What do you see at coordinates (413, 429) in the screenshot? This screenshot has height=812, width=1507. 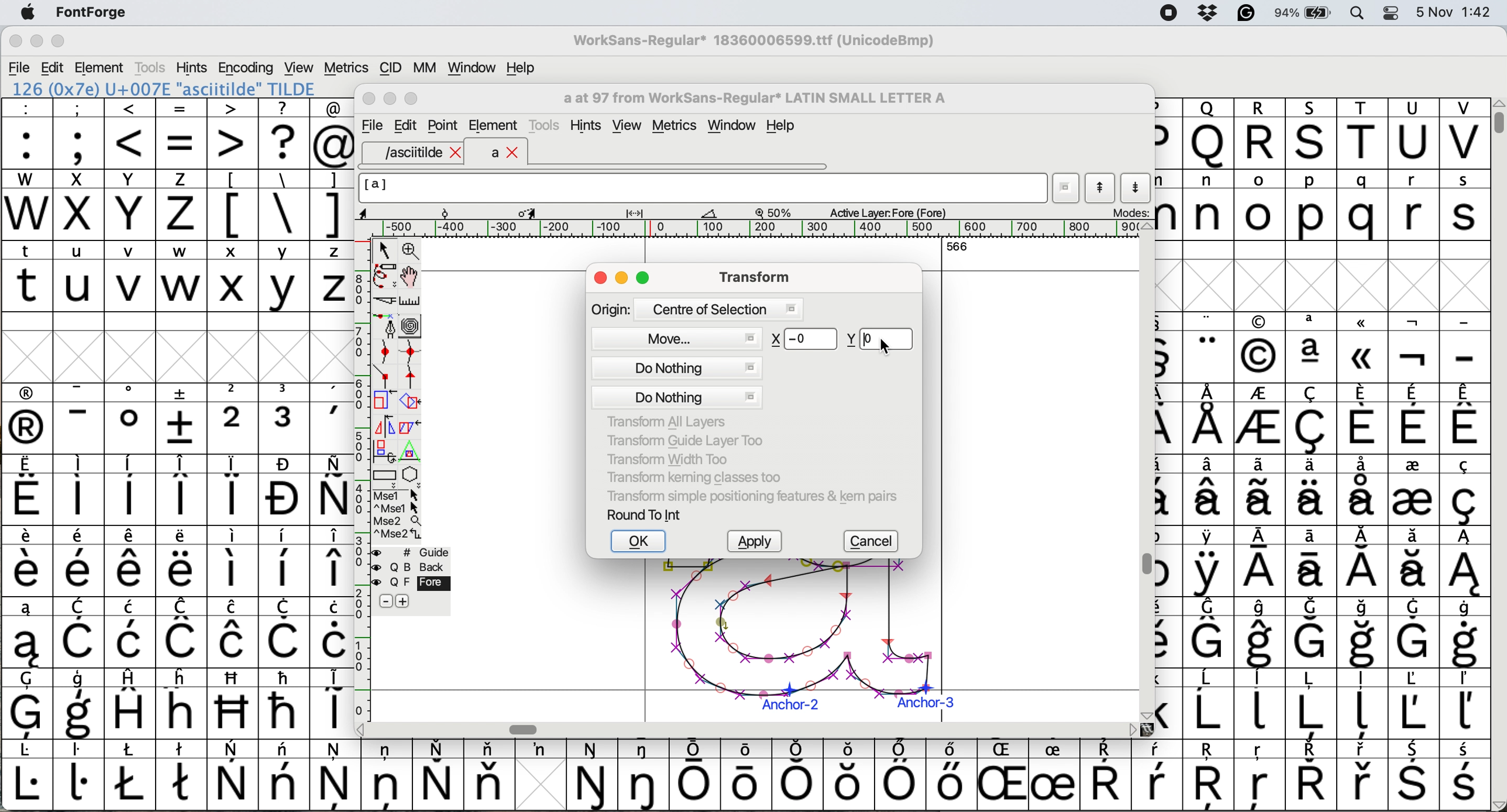 I see `skew selection` at bounding box center [413, 429].